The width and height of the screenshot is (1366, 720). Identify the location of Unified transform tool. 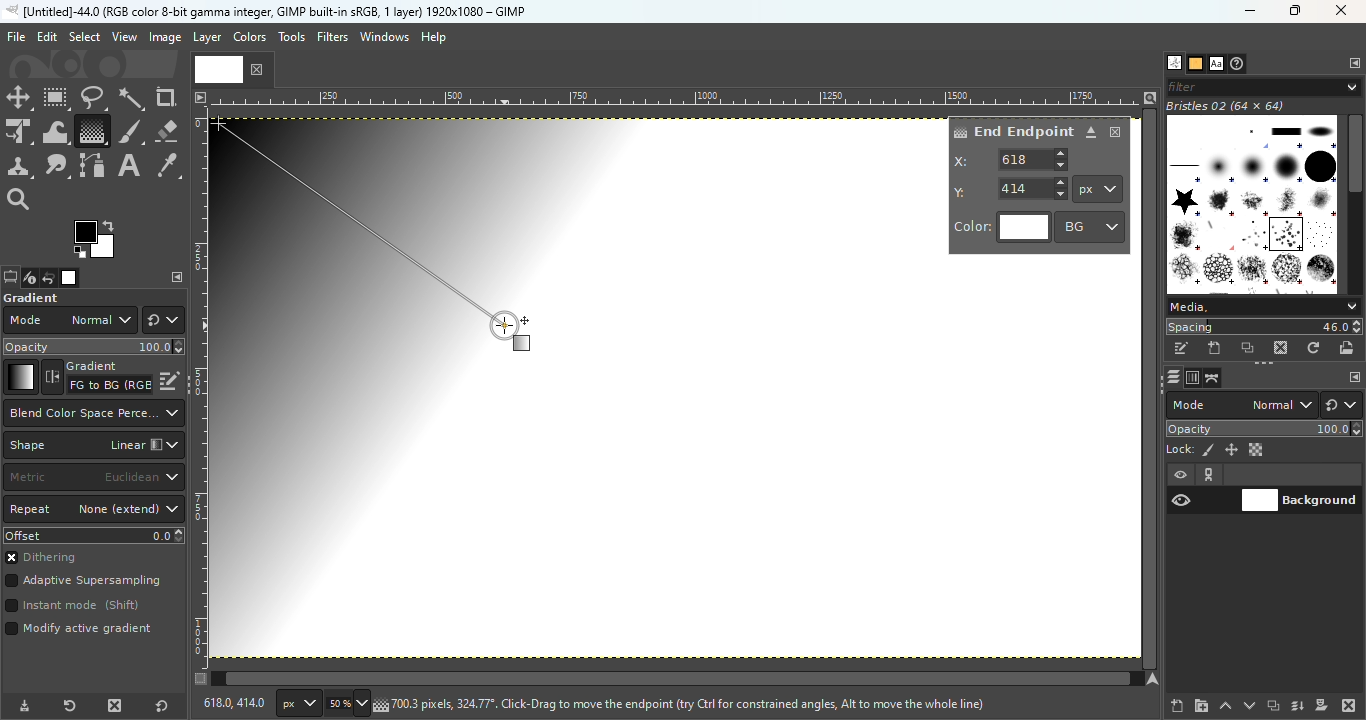
(18, 133).